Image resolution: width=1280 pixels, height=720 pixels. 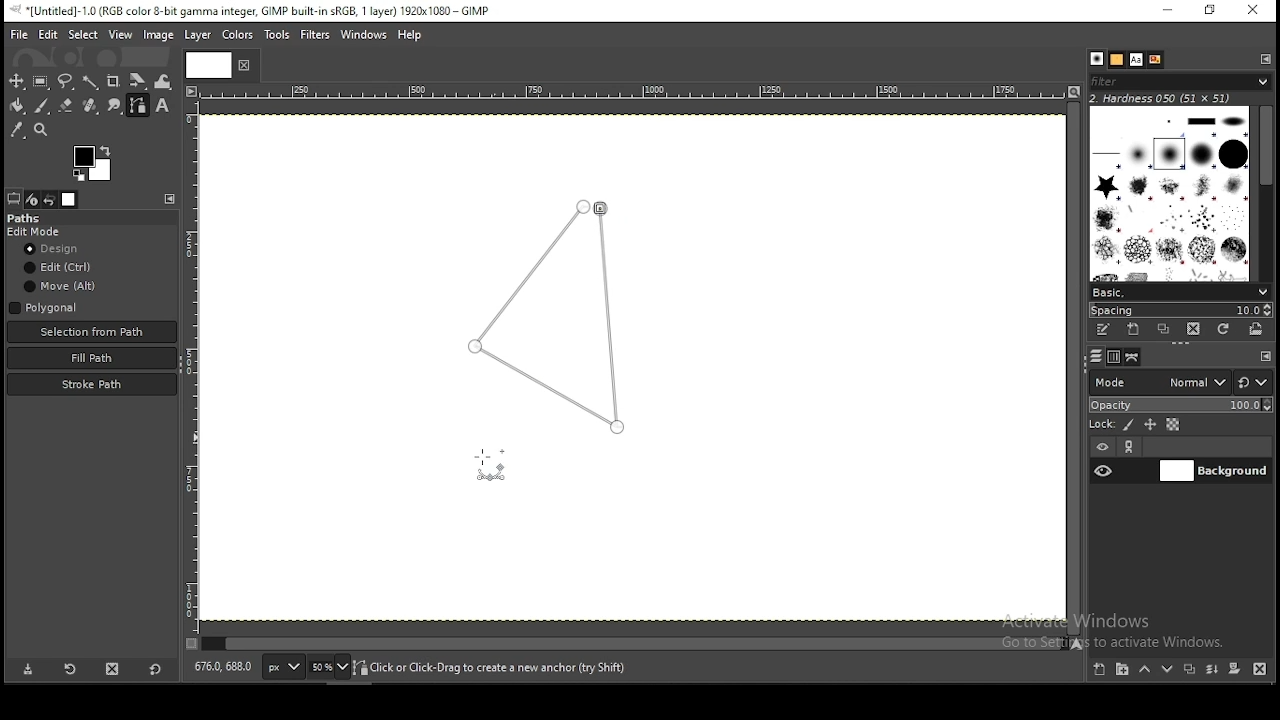 What do you see at coordinates (1184, 83) in the screenshot?
I see `filters` at bounding box center [1184, 83].